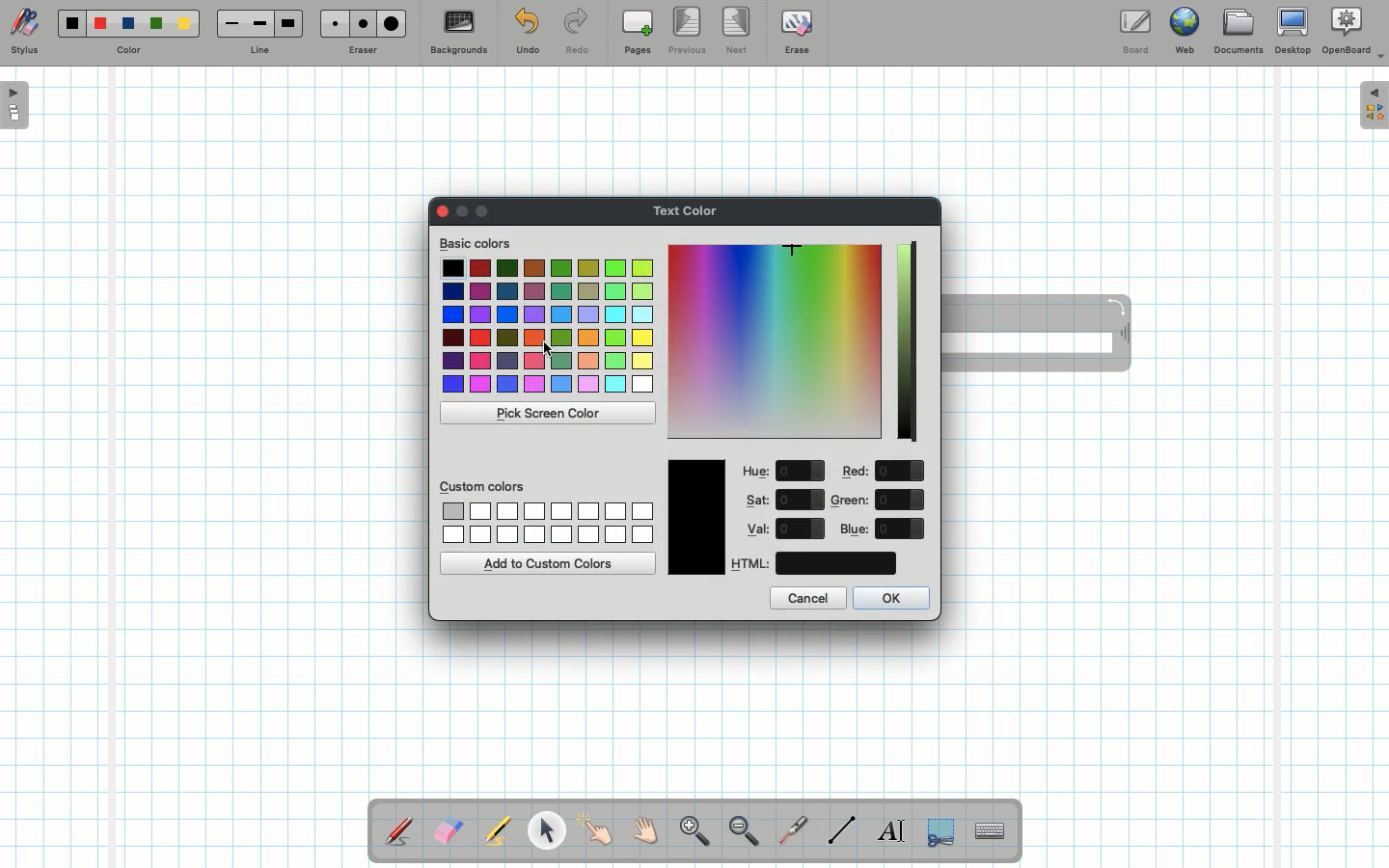 Image resolution: width=1389 pixels, height=868 pixels. Describe the element at coordinates (807, 598) in the screenshot. I see `Cancel` at that location.